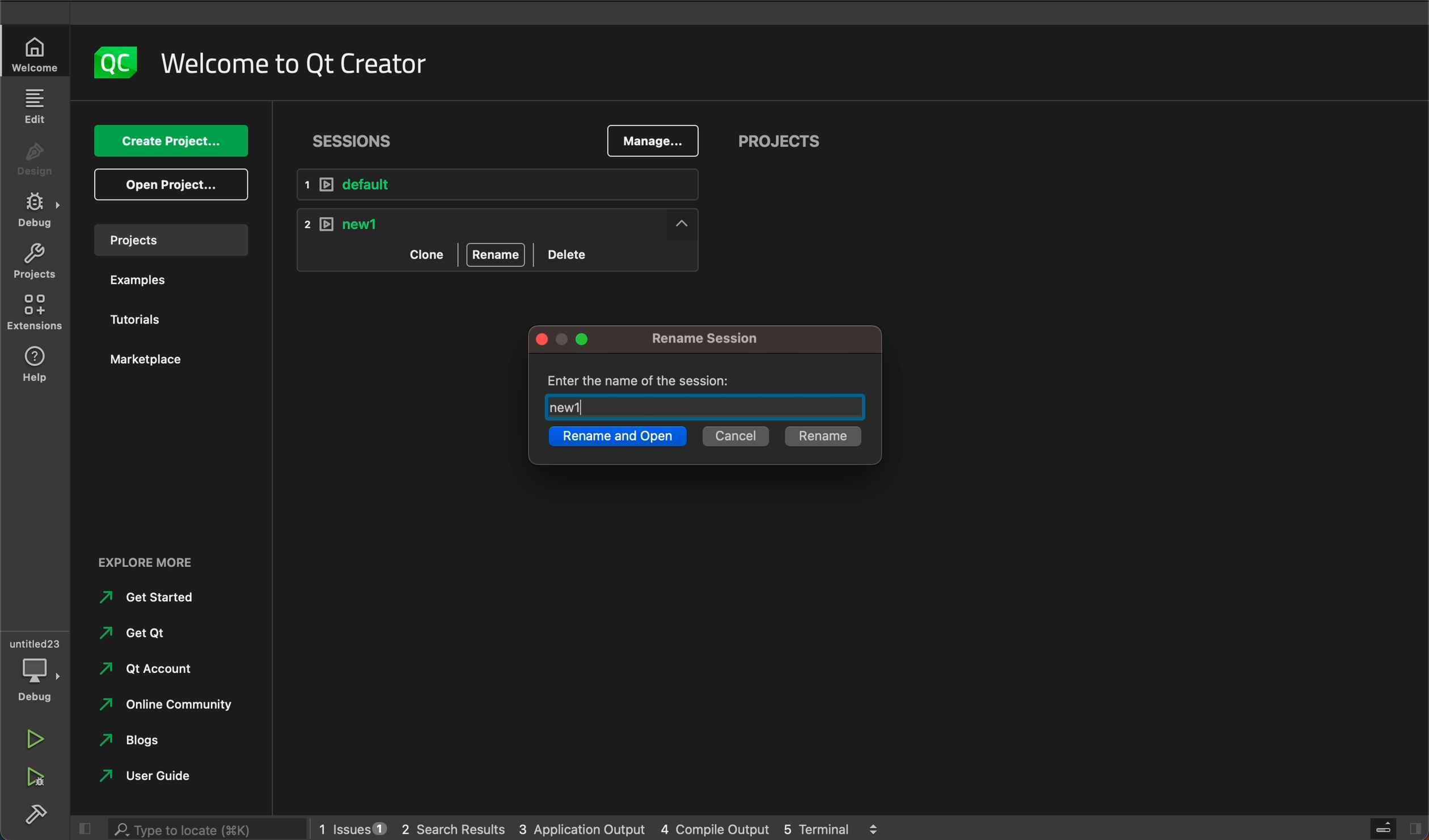 This screenshot has height=840, width=1429. Describe the element at coordinates (144, 632) in the screenshot. I see `get qt` at that location.